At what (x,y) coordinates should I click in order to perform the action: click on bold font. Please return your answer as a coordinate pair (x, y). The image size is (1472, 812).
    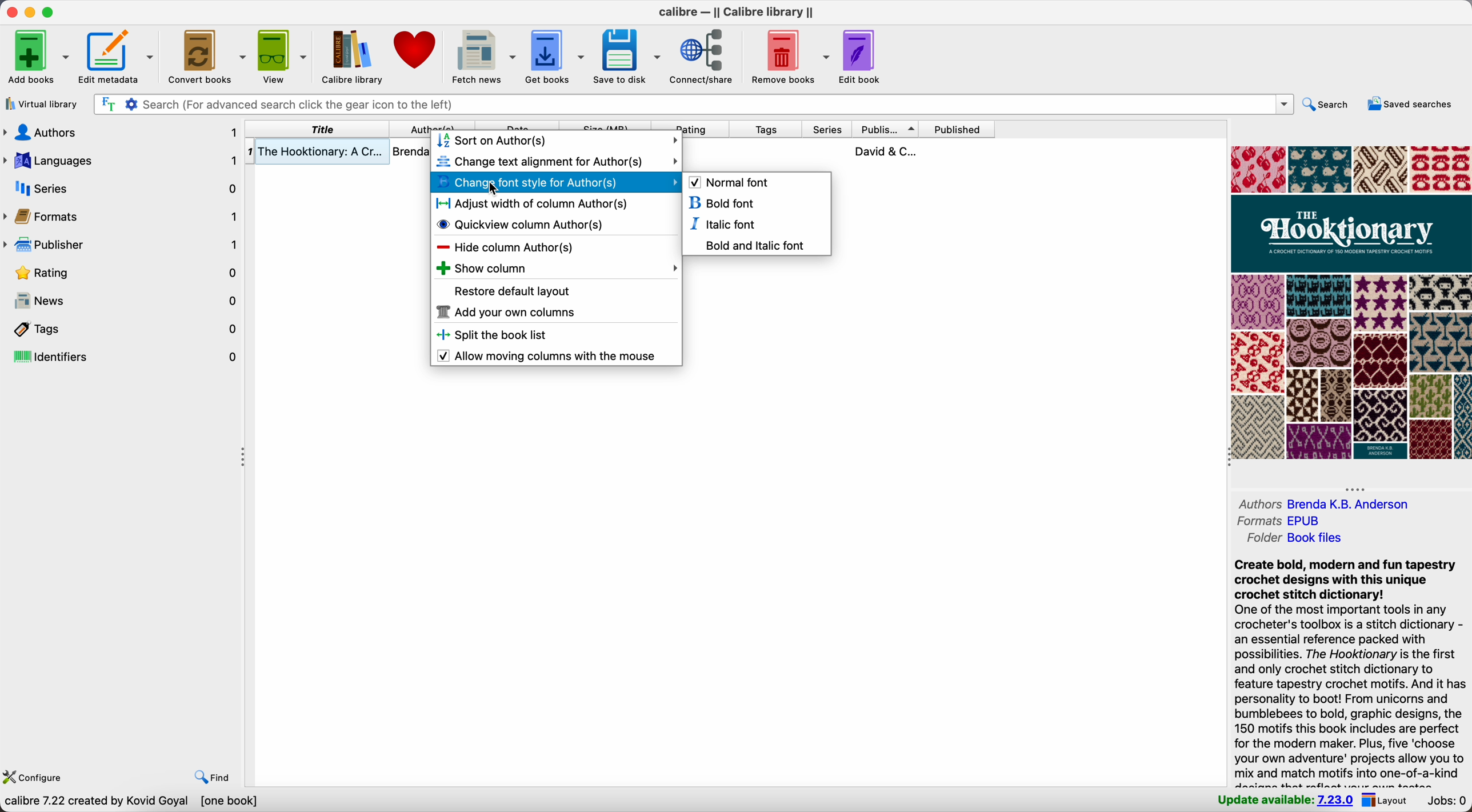
    Looking at the image, I should click on (721, 204).